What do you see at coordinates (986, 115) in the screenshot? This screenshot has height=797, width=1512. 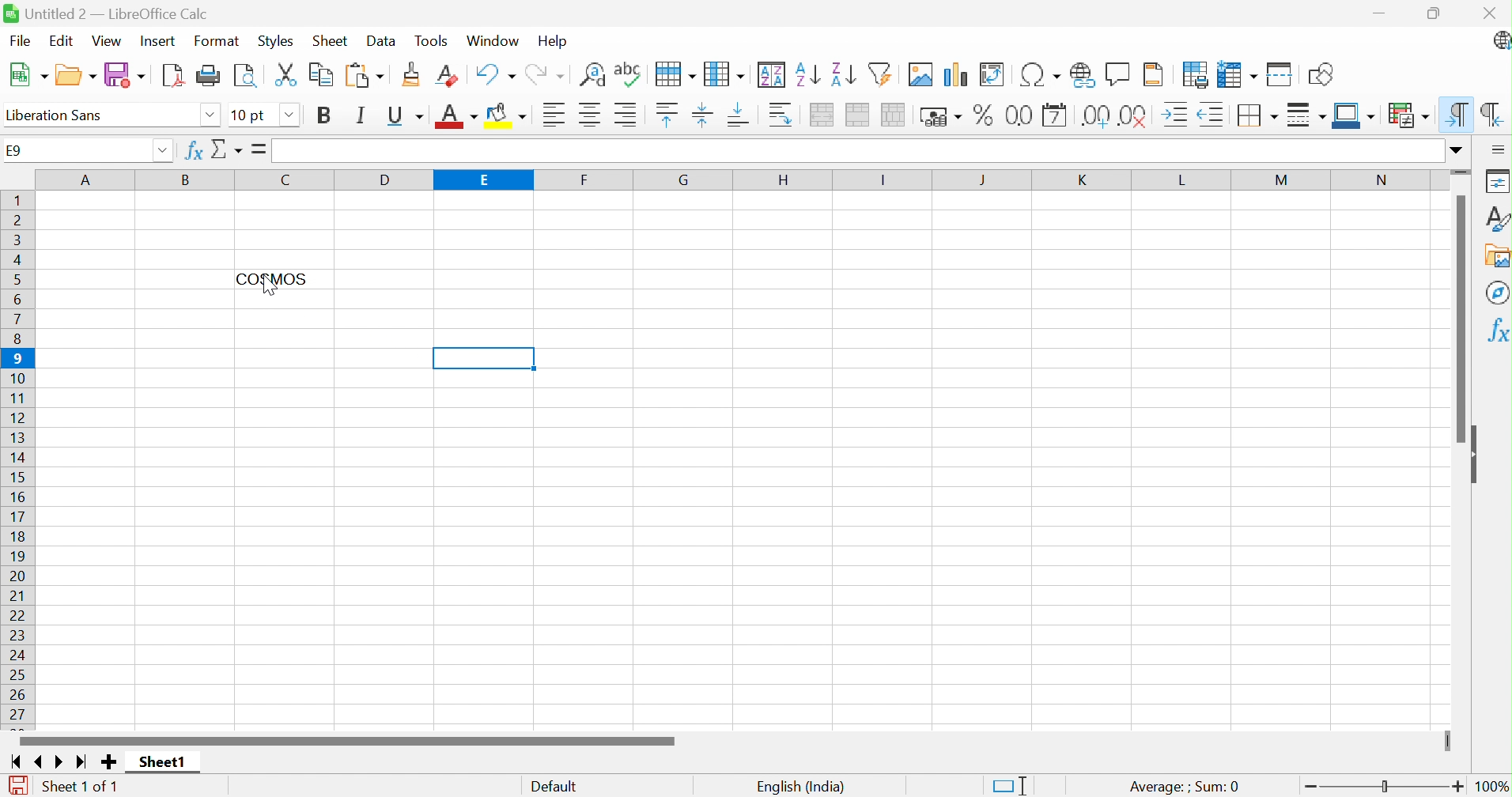 I see `Format as percent` at bounding box center [986, 115].